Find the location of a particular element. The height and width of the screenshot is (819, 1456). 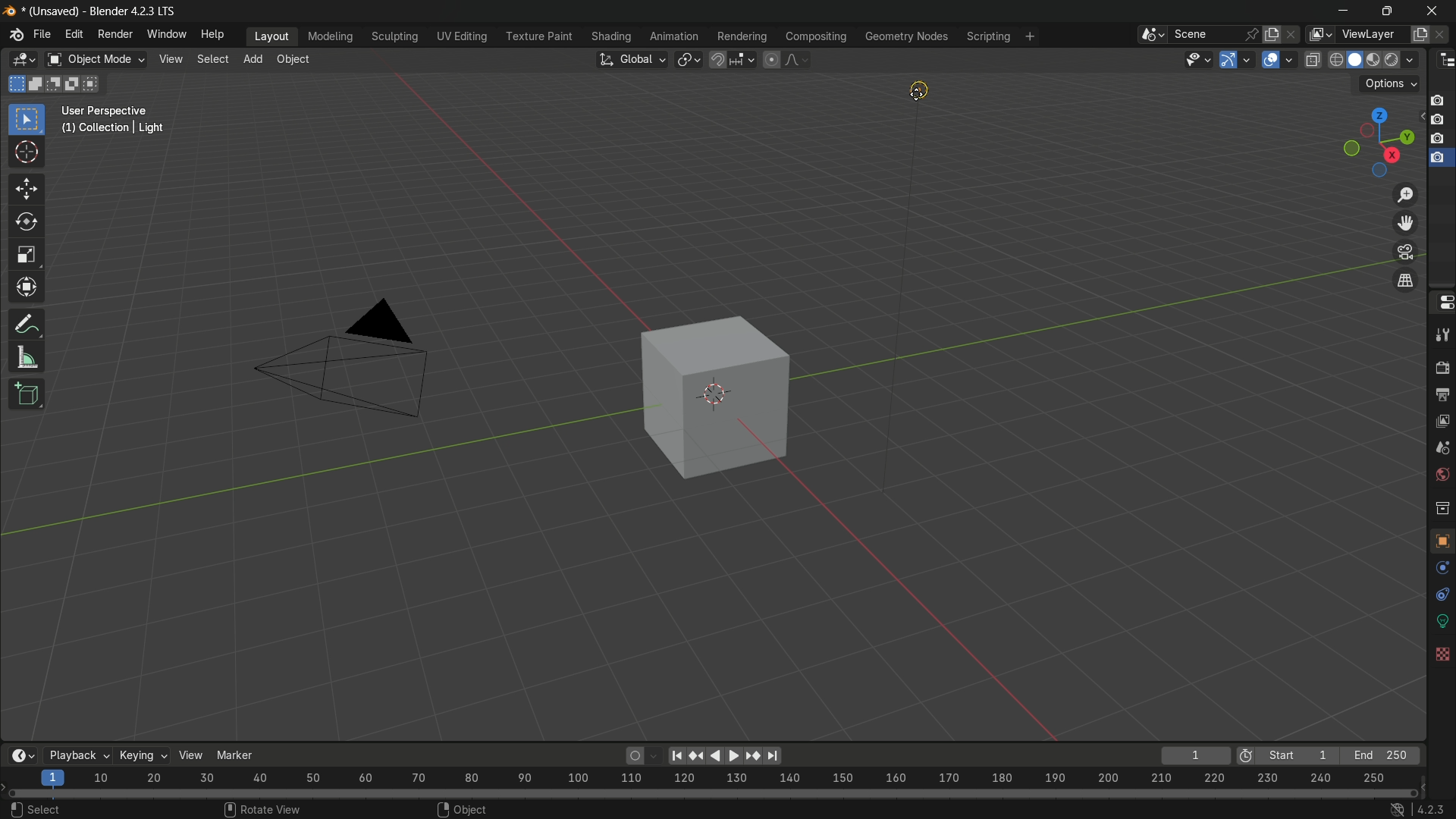

gizmos is located at coordinates (1250, 59).